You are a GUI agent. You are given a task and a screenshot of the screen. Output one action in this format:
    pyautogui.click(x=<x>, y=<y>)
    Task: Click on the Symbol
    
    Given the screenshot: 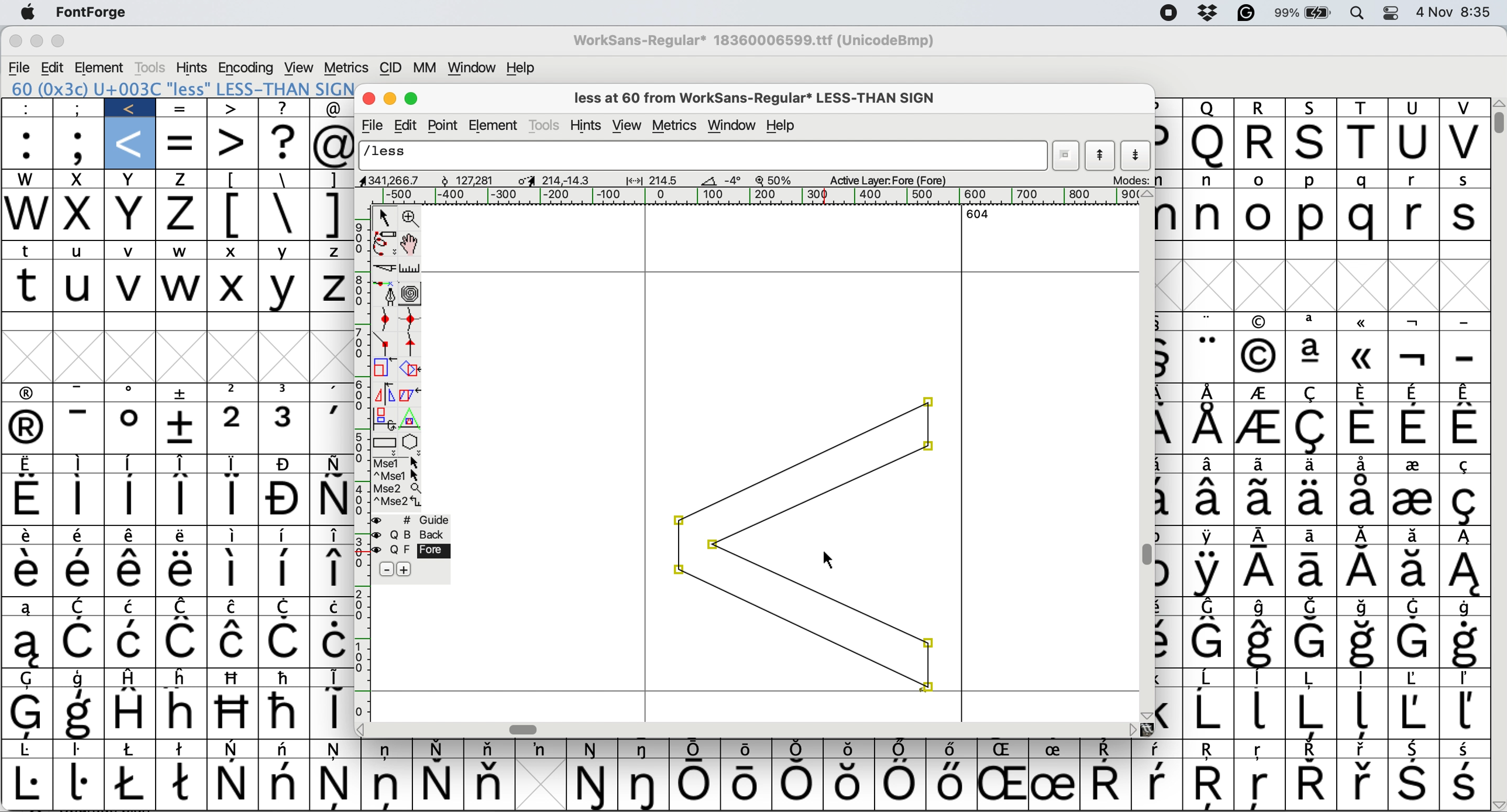 What is the action you would take?
    pyautogui.click(x=1210, y=786)
    